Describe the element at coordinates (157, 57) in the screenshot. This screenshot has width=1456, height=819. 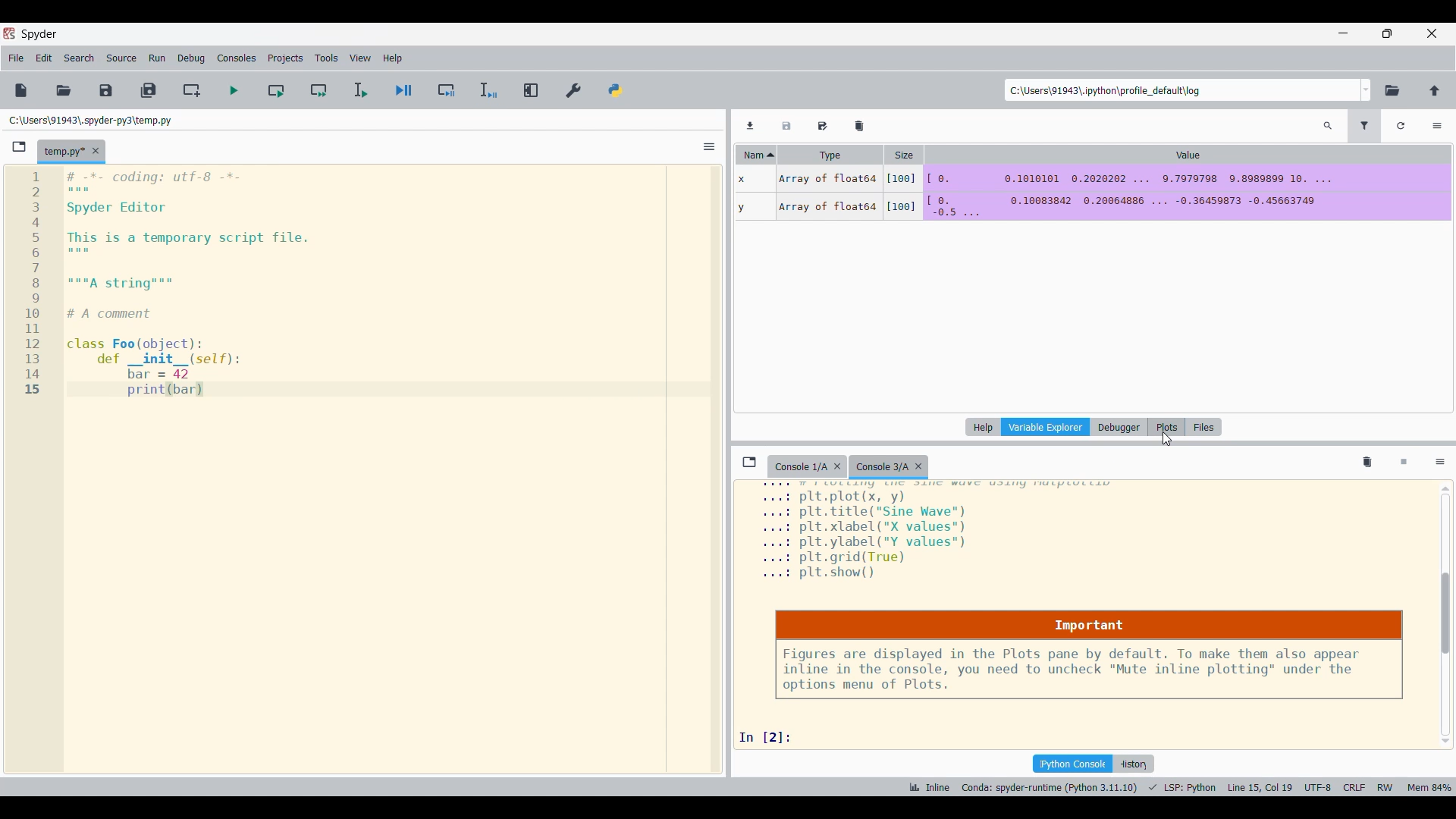
I see `Run menu` at that location.